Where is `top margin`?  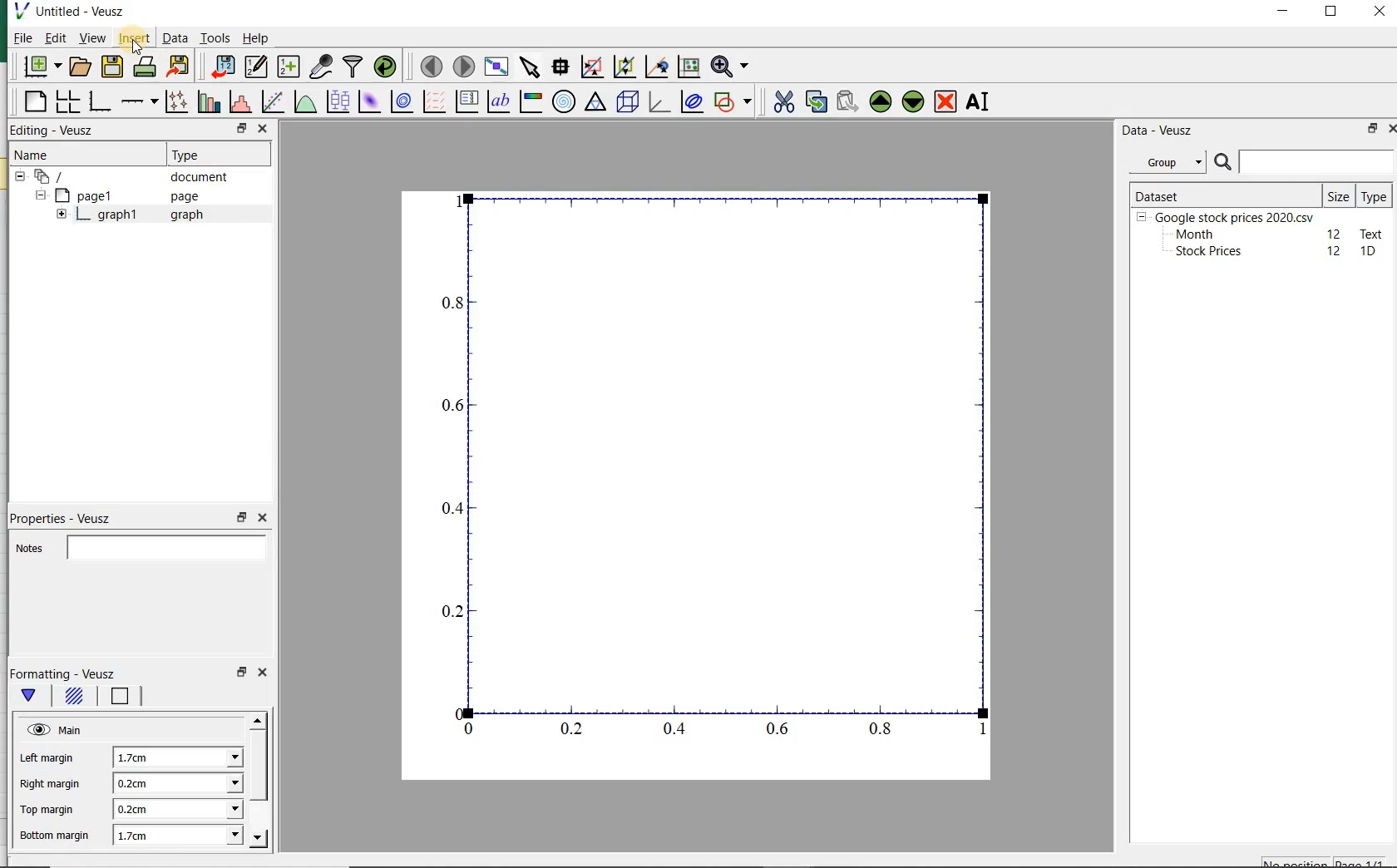 top margin is located at coordinates (45, 811).